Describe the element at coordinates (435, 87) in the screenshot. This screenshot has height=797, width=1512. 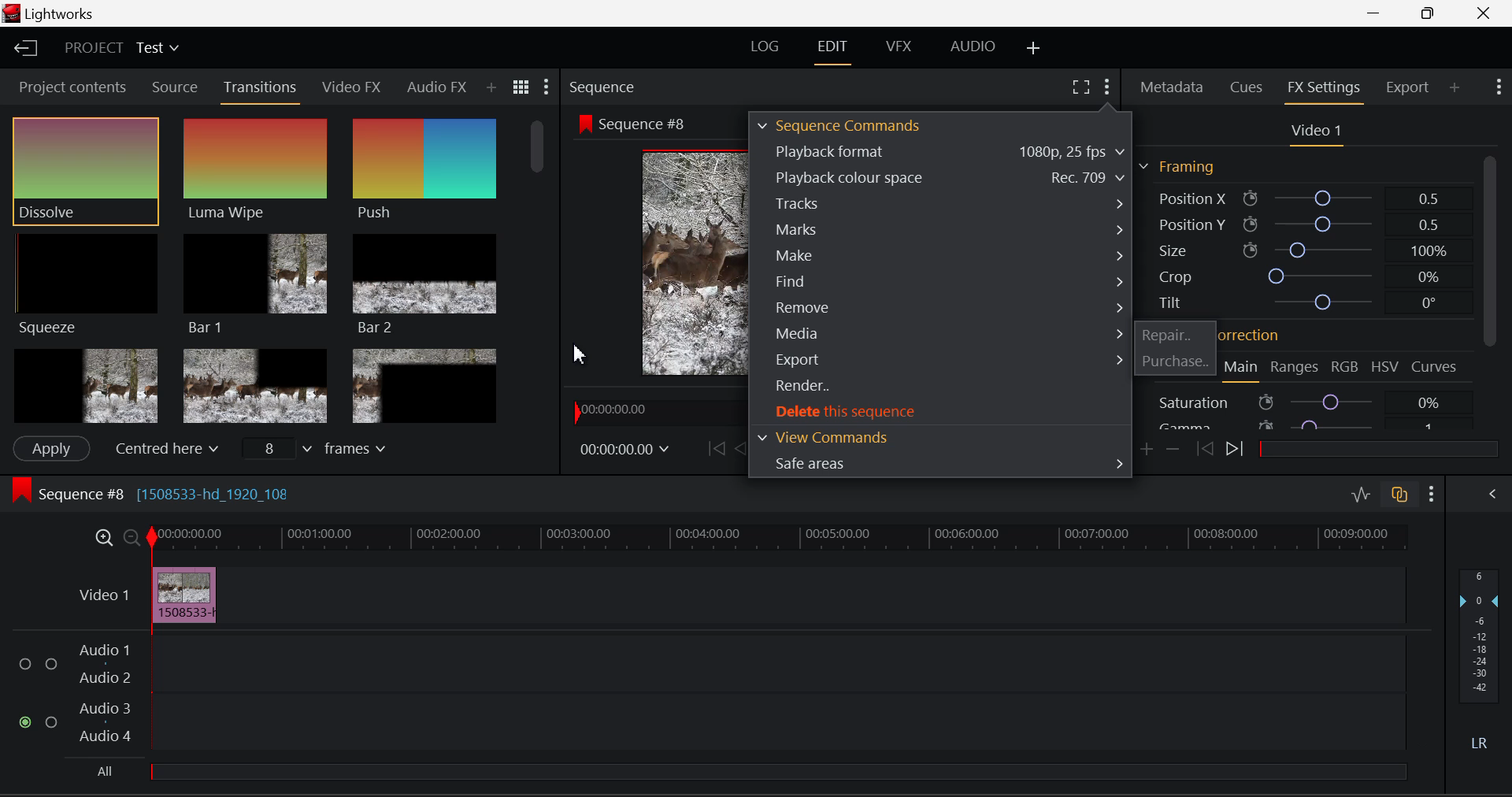
I see `Audio FX` at that location.